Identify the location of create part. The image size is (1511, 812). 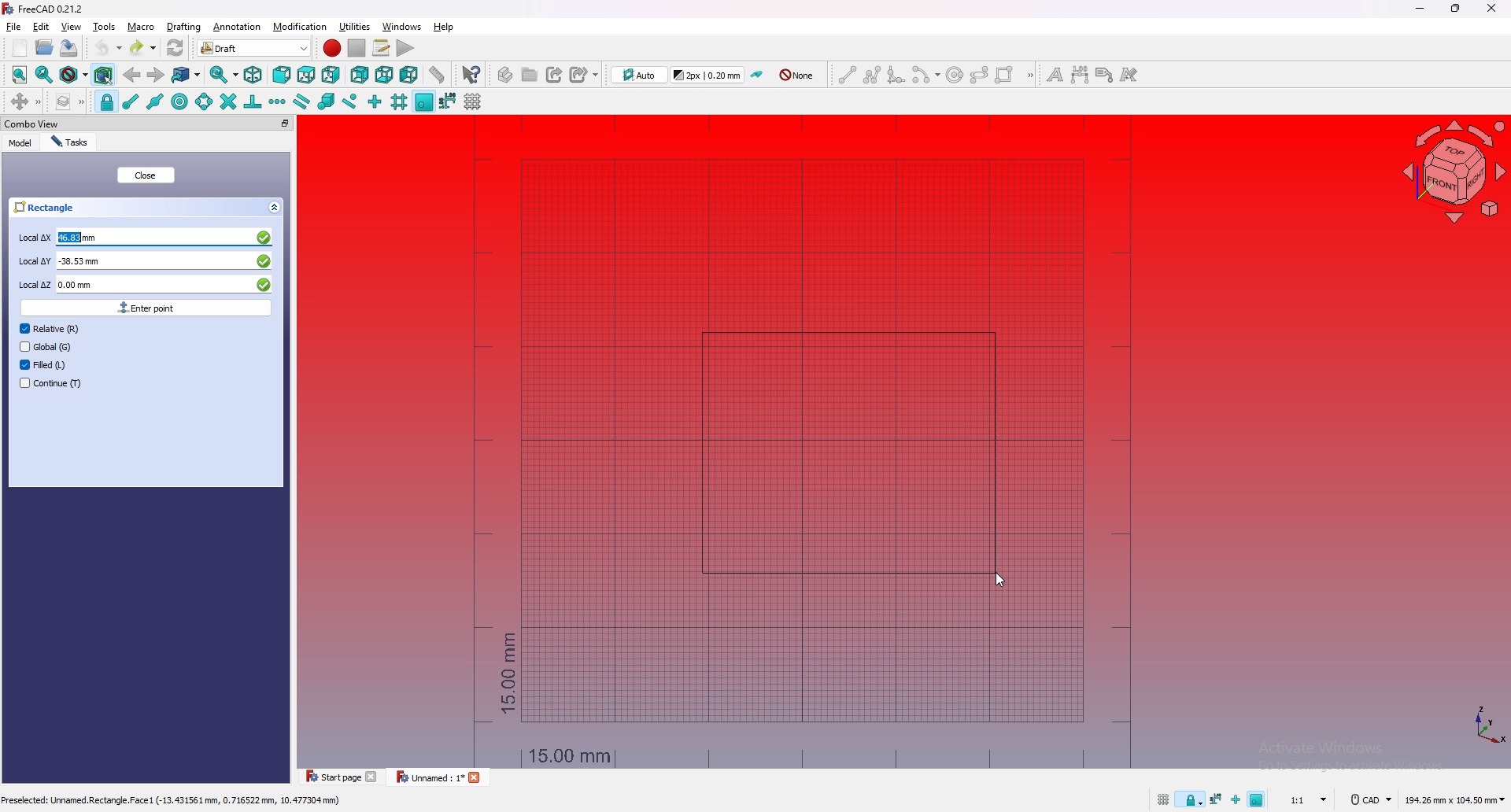
(504, 75).